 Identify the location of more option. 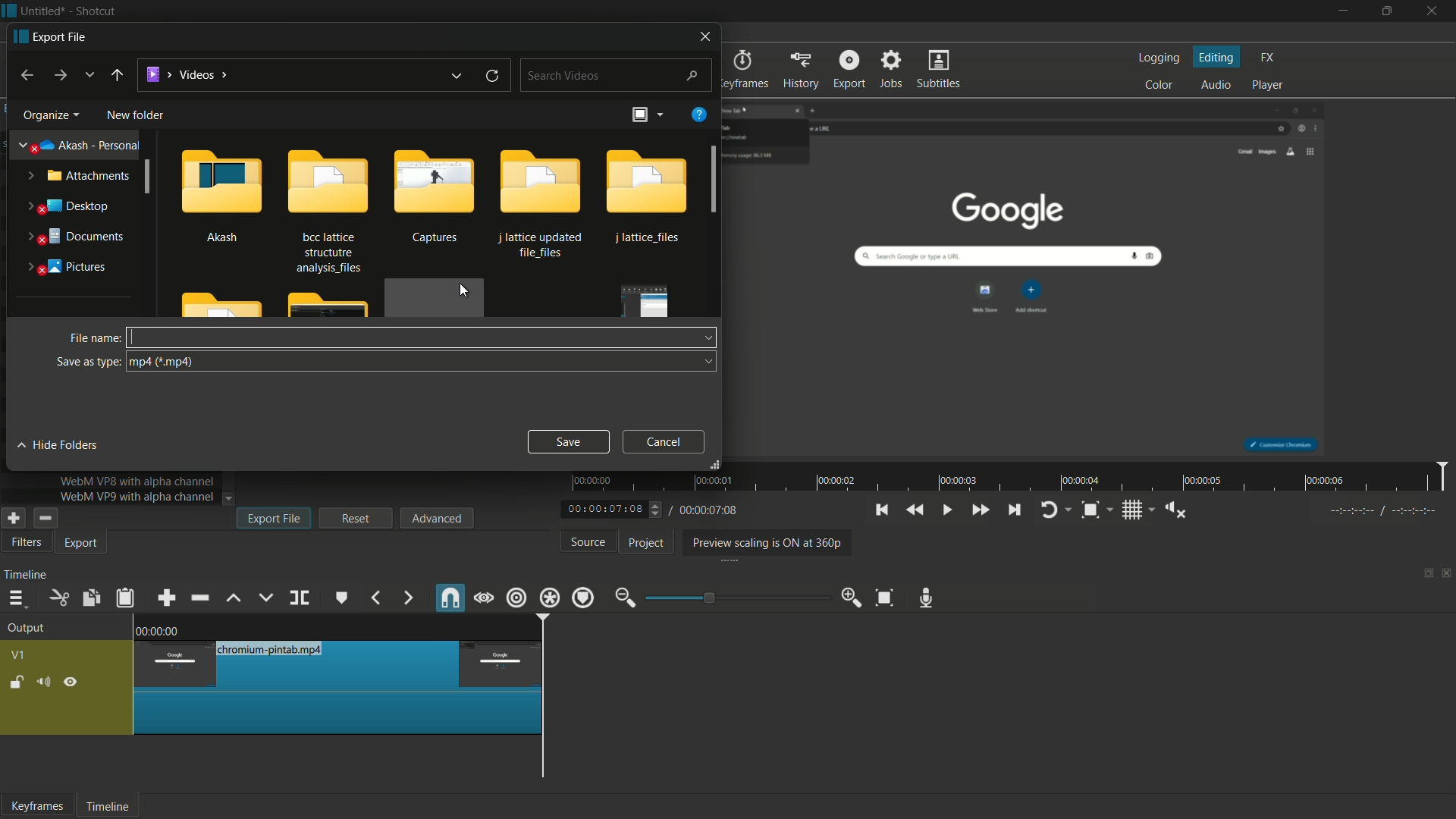
(659, 115).